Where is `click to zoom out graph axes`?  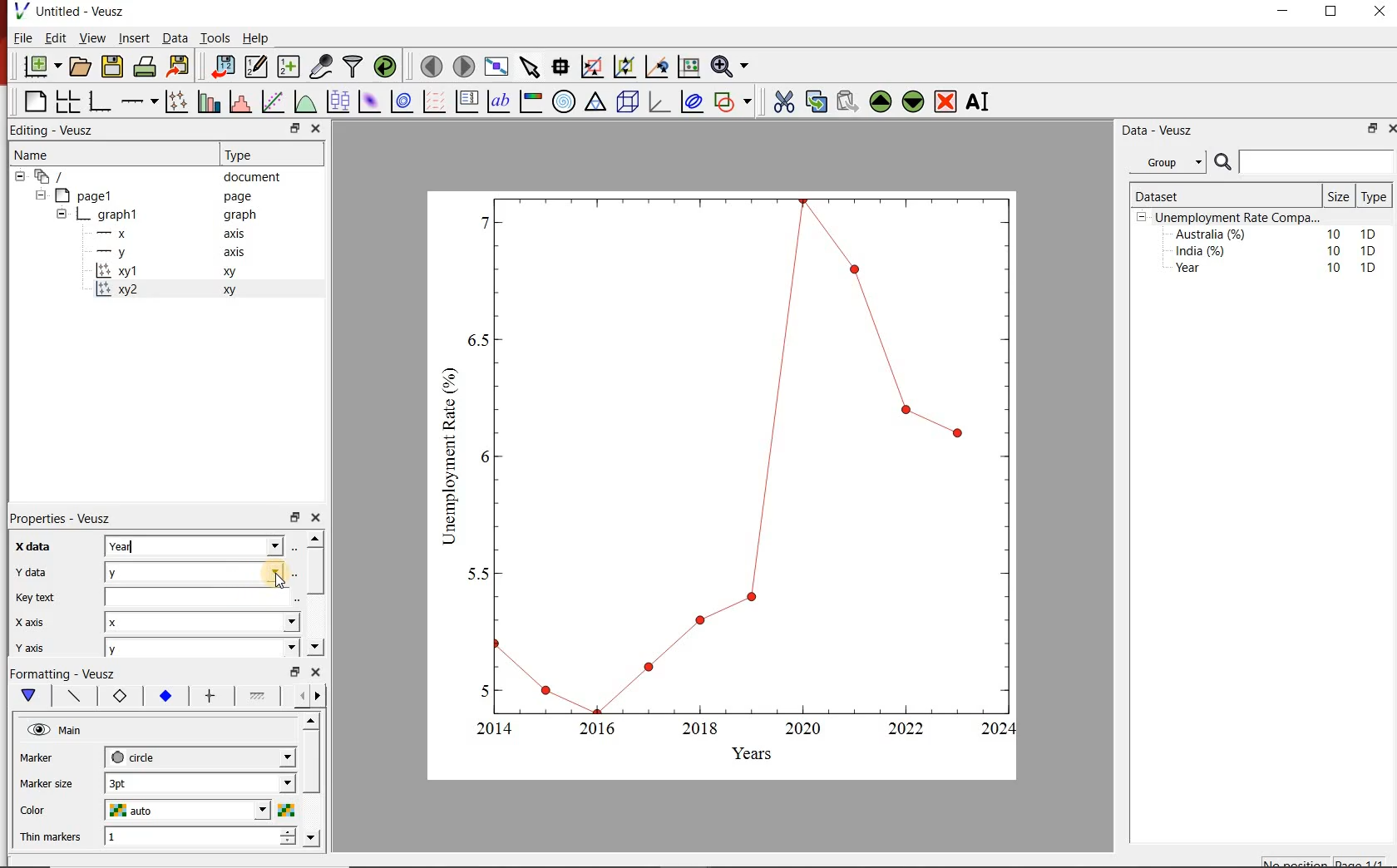 click to zoom out graph axes is located at coordinates (625, 65).